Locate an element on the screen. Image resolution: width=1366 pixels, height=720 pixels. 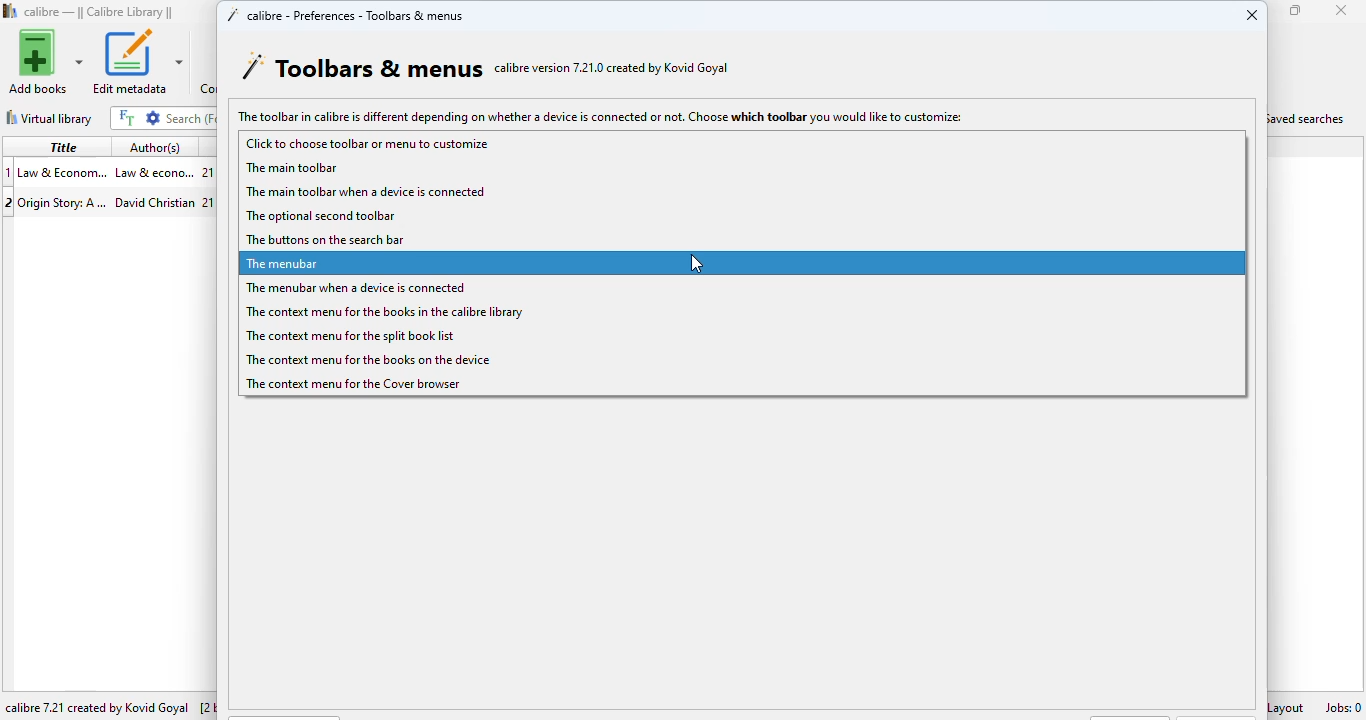
edit metadata is located at coordinates (137, 62).